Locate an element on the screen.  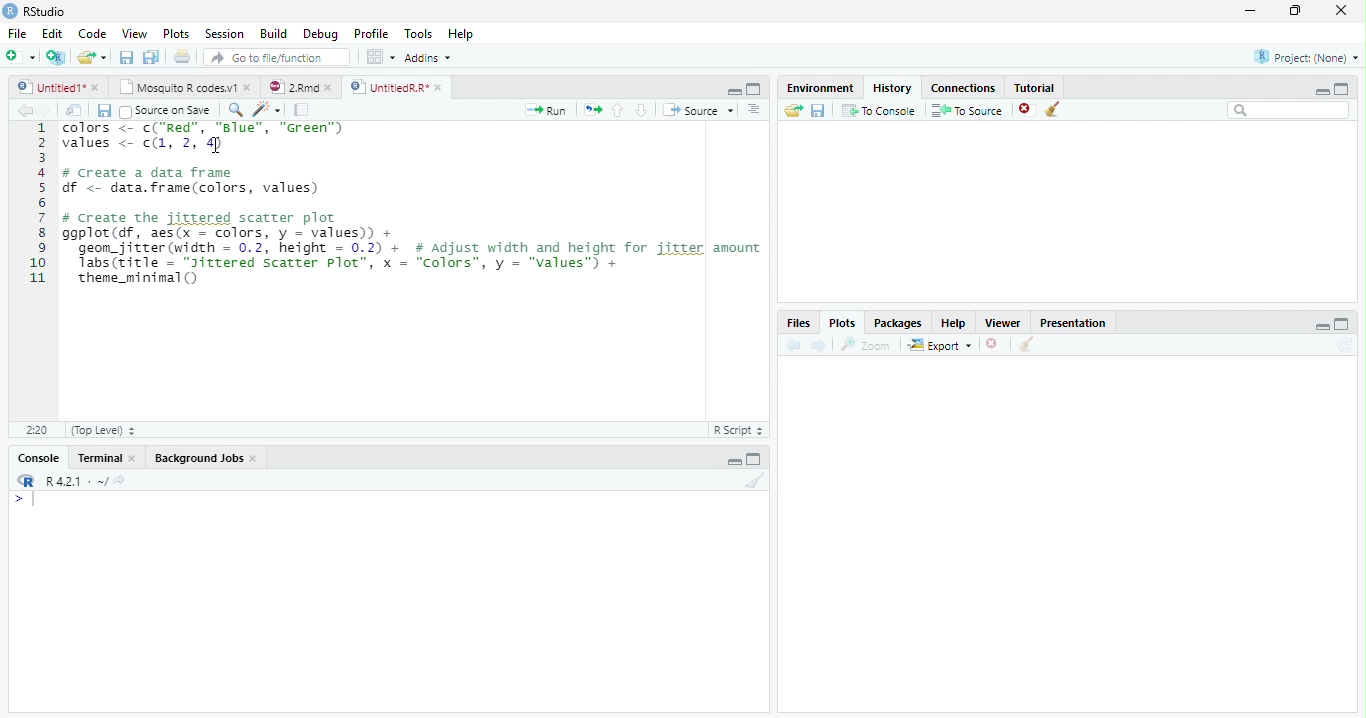
Re-run the previous code region is located at coordinates (592, 110).